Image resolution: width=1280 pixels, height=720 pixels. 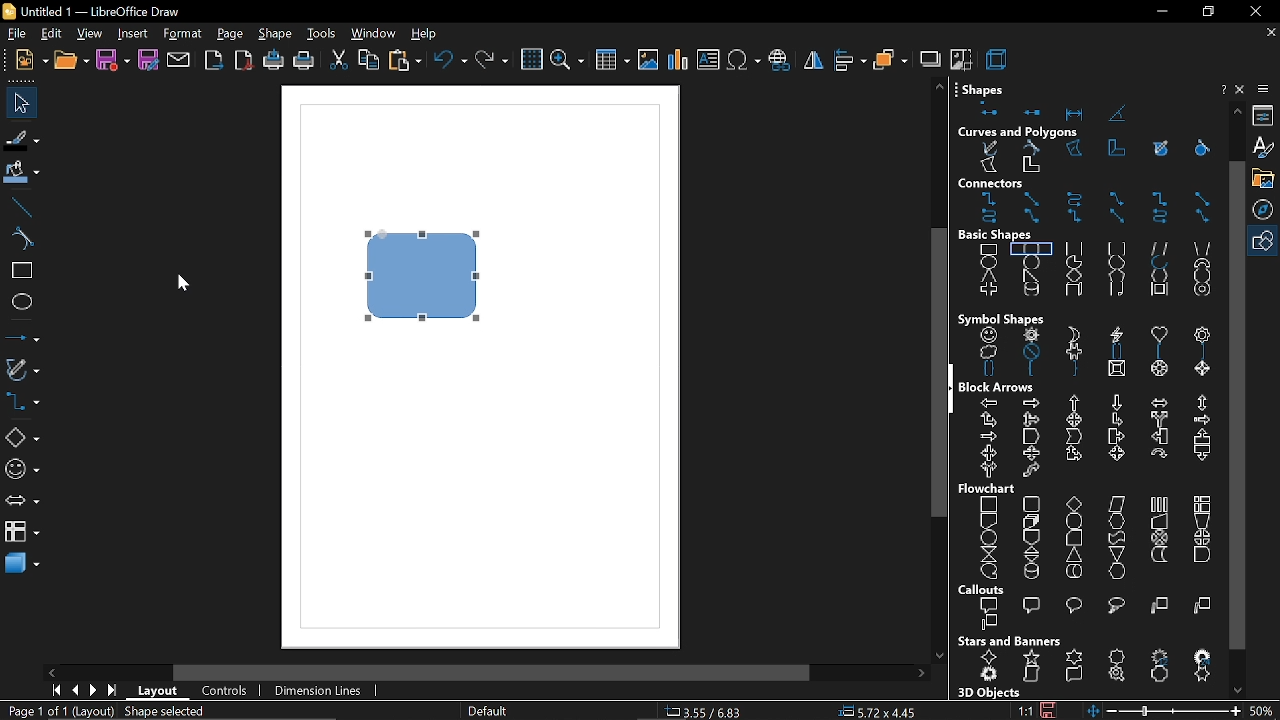 What do you see at coordinates (1241, 689) in the screenshot?
I see `move down` at bounding box center [1241, 689].